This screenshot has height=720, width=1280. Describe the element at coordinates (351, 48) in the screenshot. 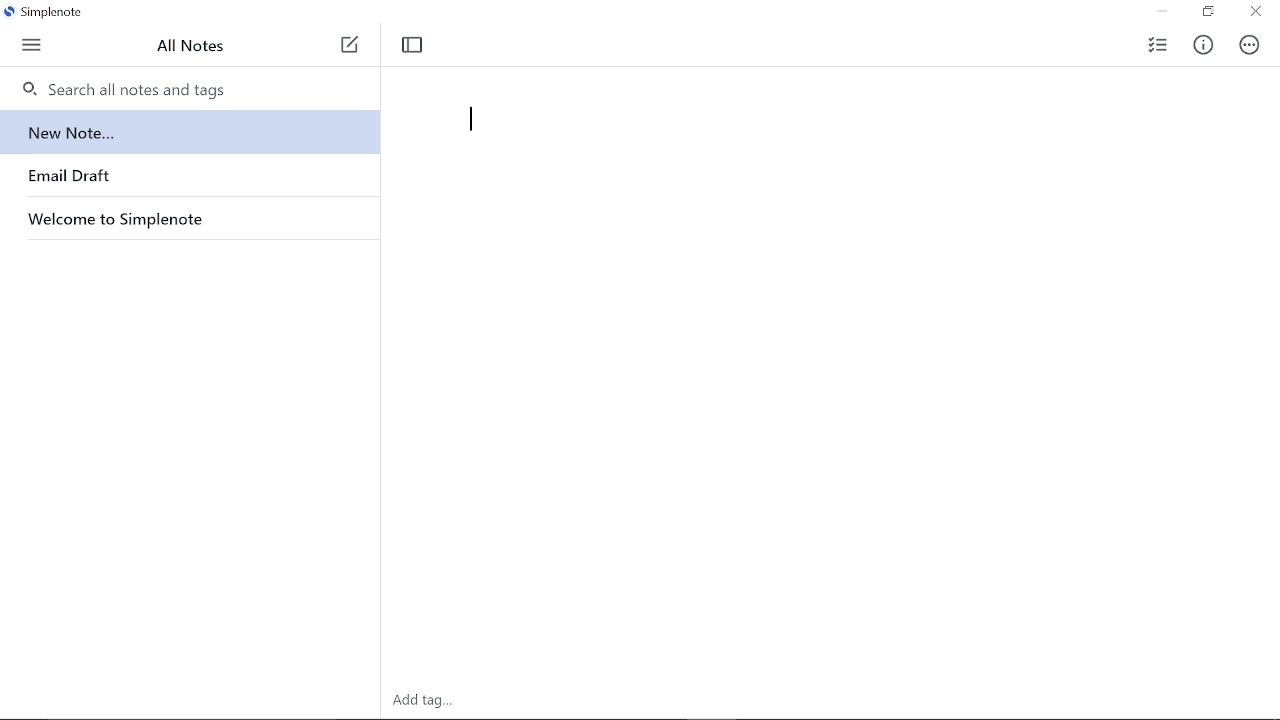

I see `New Note` at that location.